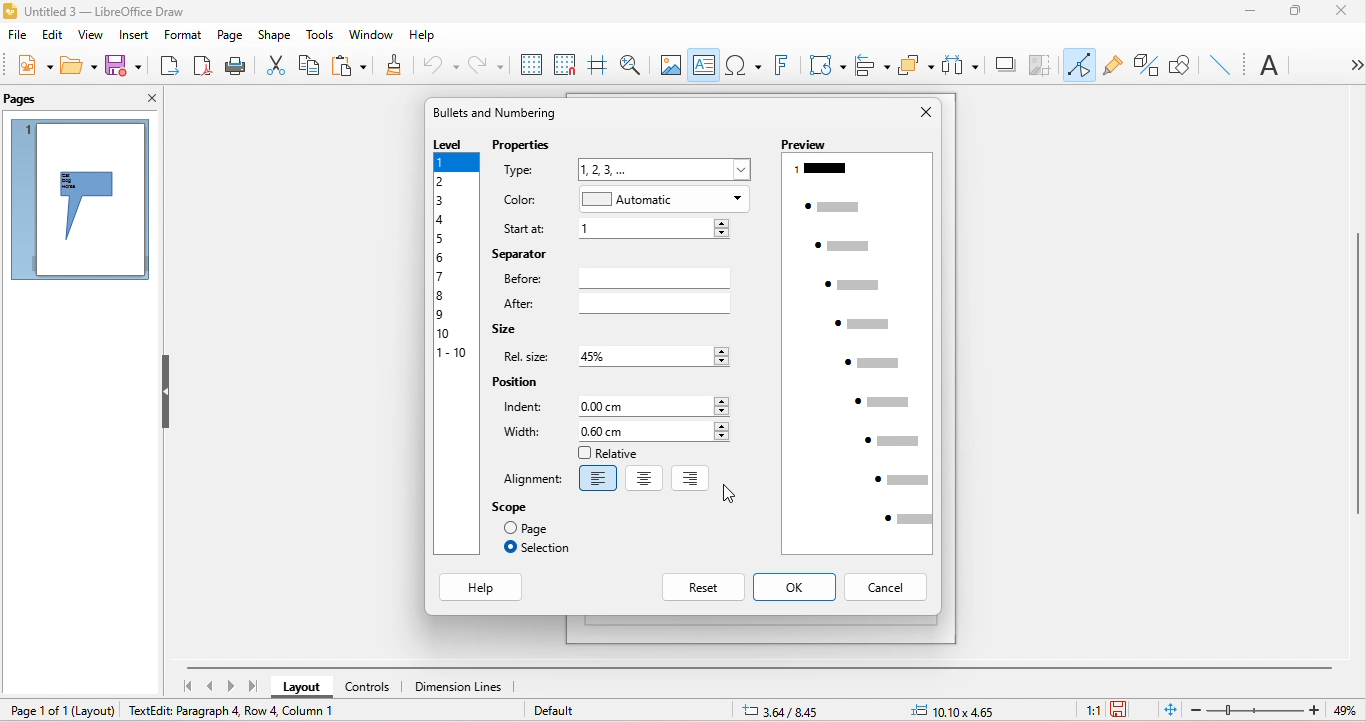 The width and height of the screenshot is (1366, 722). What do you see at coordinates (691, 476) in the screenshot?
I see `right align` at bounding box center [691, 476].